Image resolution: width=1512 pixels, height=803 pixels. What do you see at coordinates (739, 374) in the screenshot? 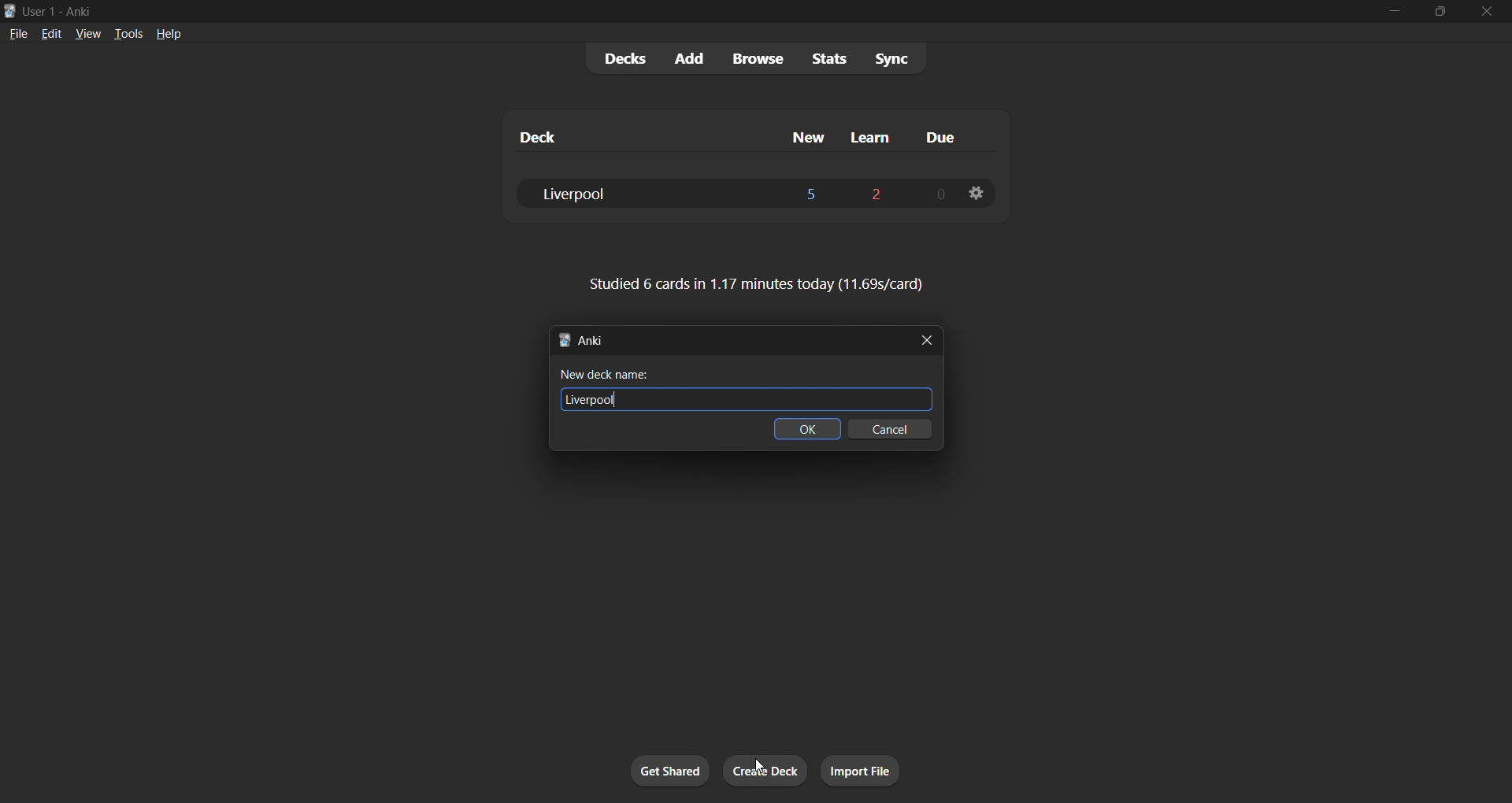
I see `new deck name` at bounding box center [739, 374].